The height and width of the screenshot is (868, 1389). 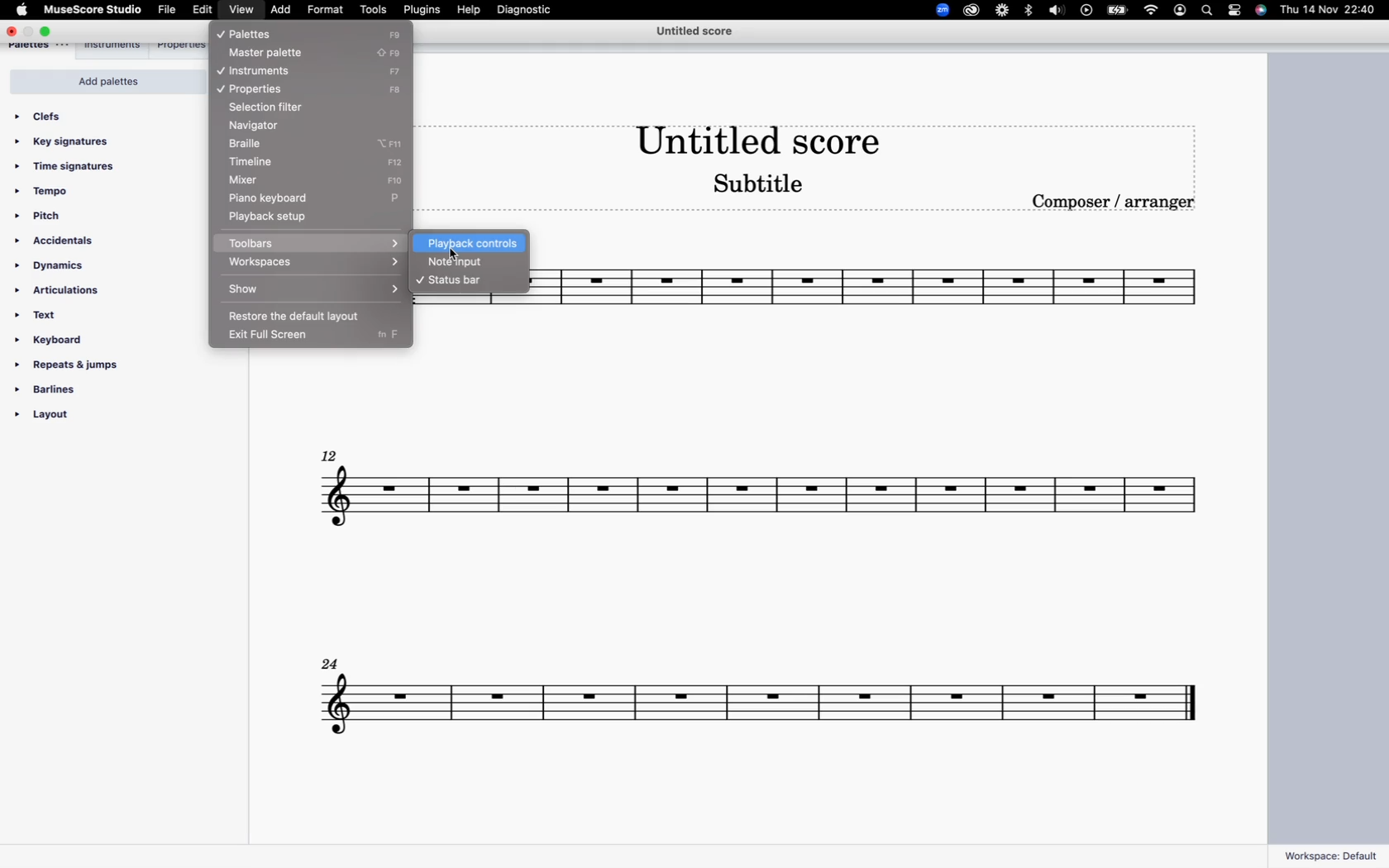 I want to click on playback setup, so click(x=283, y=218).